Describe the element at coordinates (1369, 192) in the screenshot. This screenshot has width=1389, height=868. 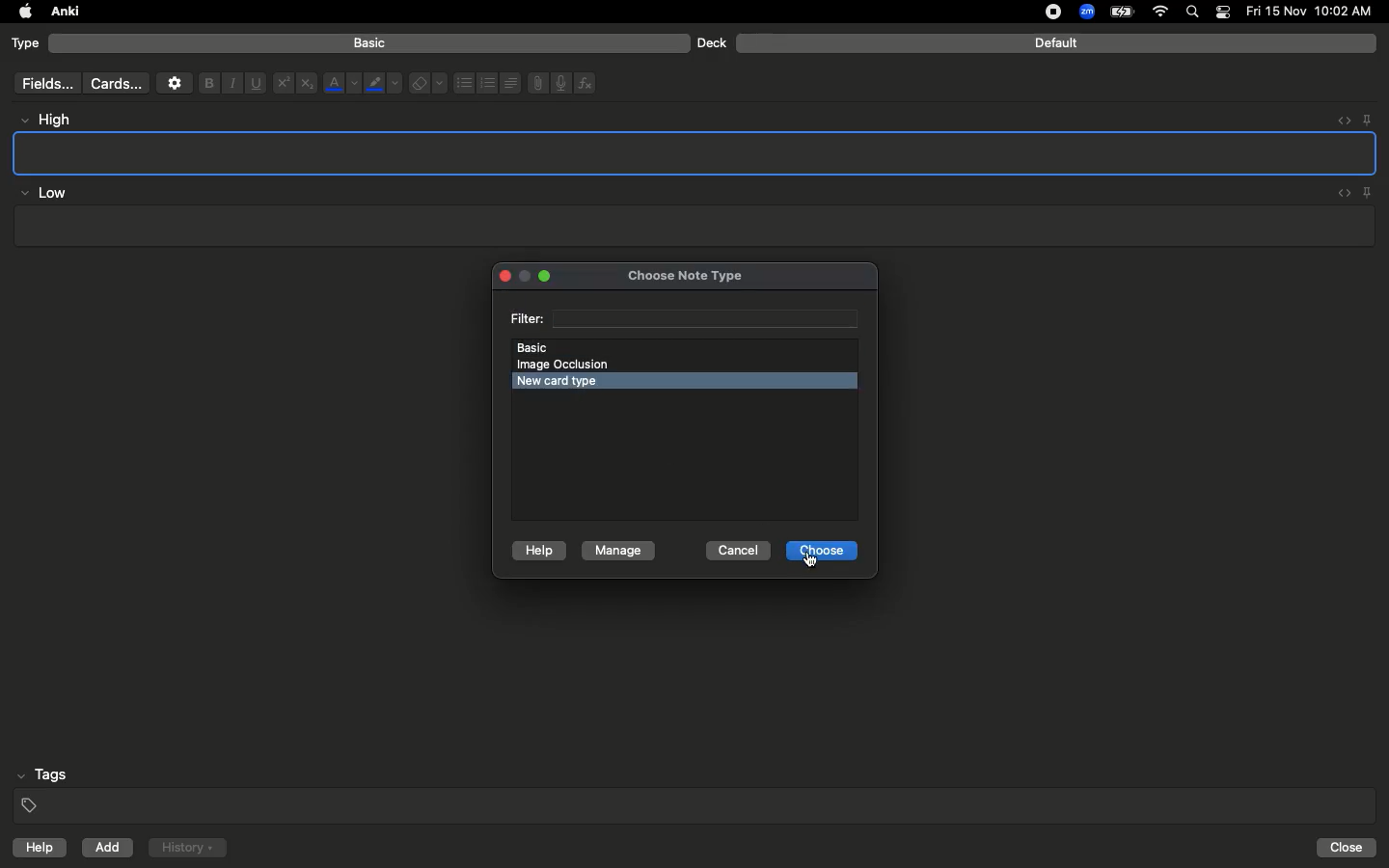
I see `Pin` at that location.